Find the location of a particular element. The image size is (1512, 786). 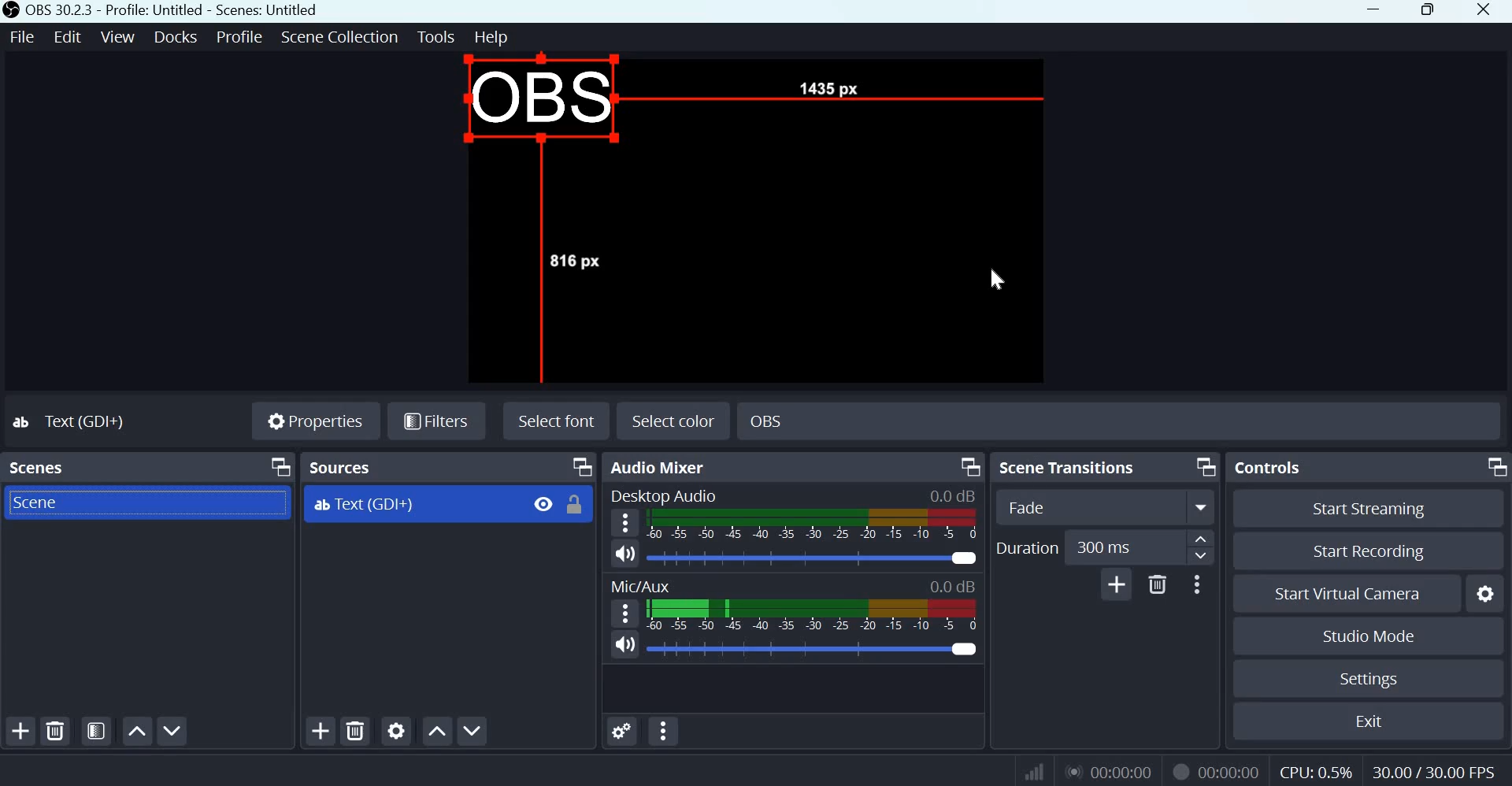

Fade is located at coordinates (1074, 506).